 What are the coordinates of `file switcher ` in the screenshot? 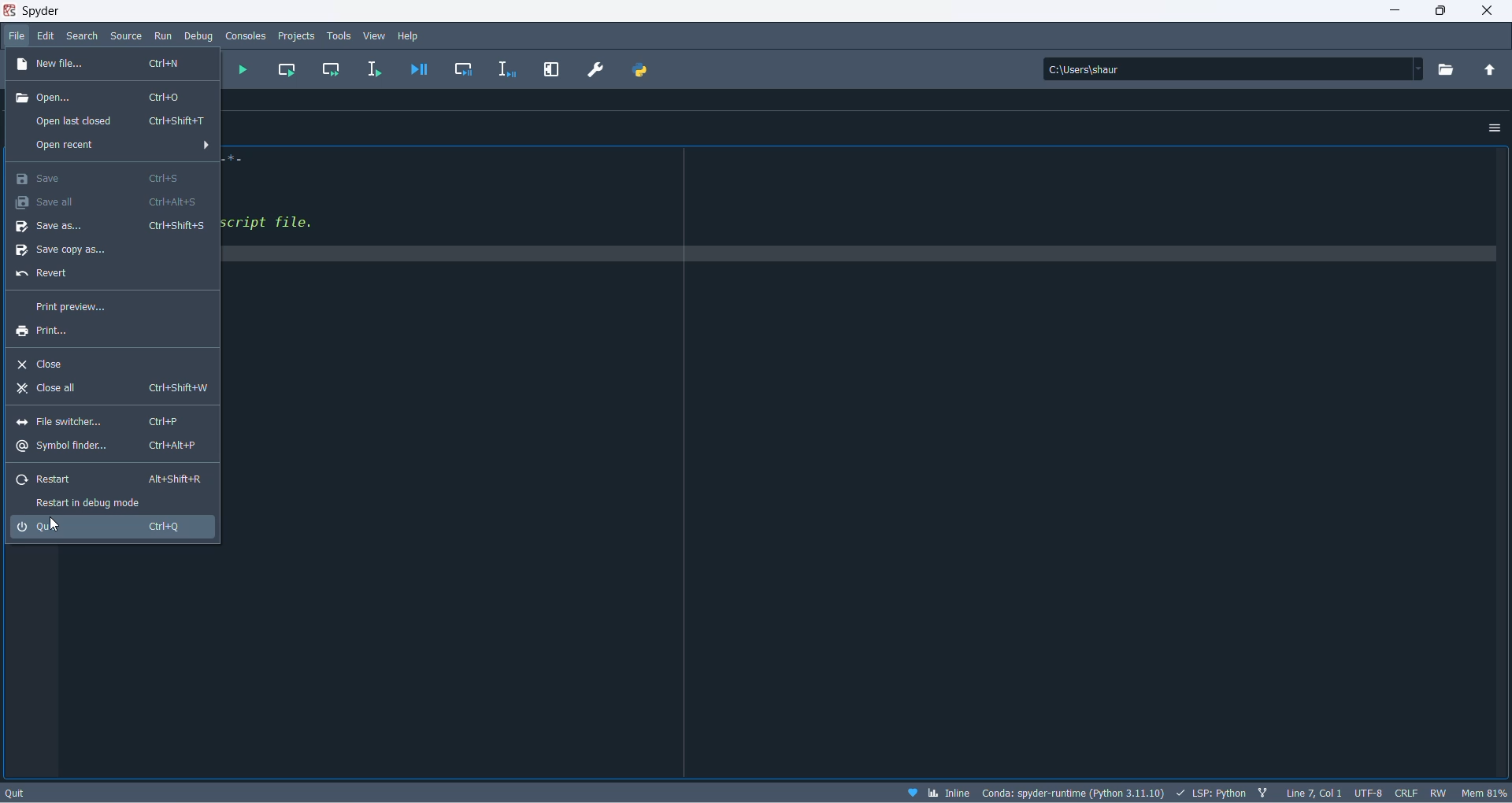 It's located at (112, 419).